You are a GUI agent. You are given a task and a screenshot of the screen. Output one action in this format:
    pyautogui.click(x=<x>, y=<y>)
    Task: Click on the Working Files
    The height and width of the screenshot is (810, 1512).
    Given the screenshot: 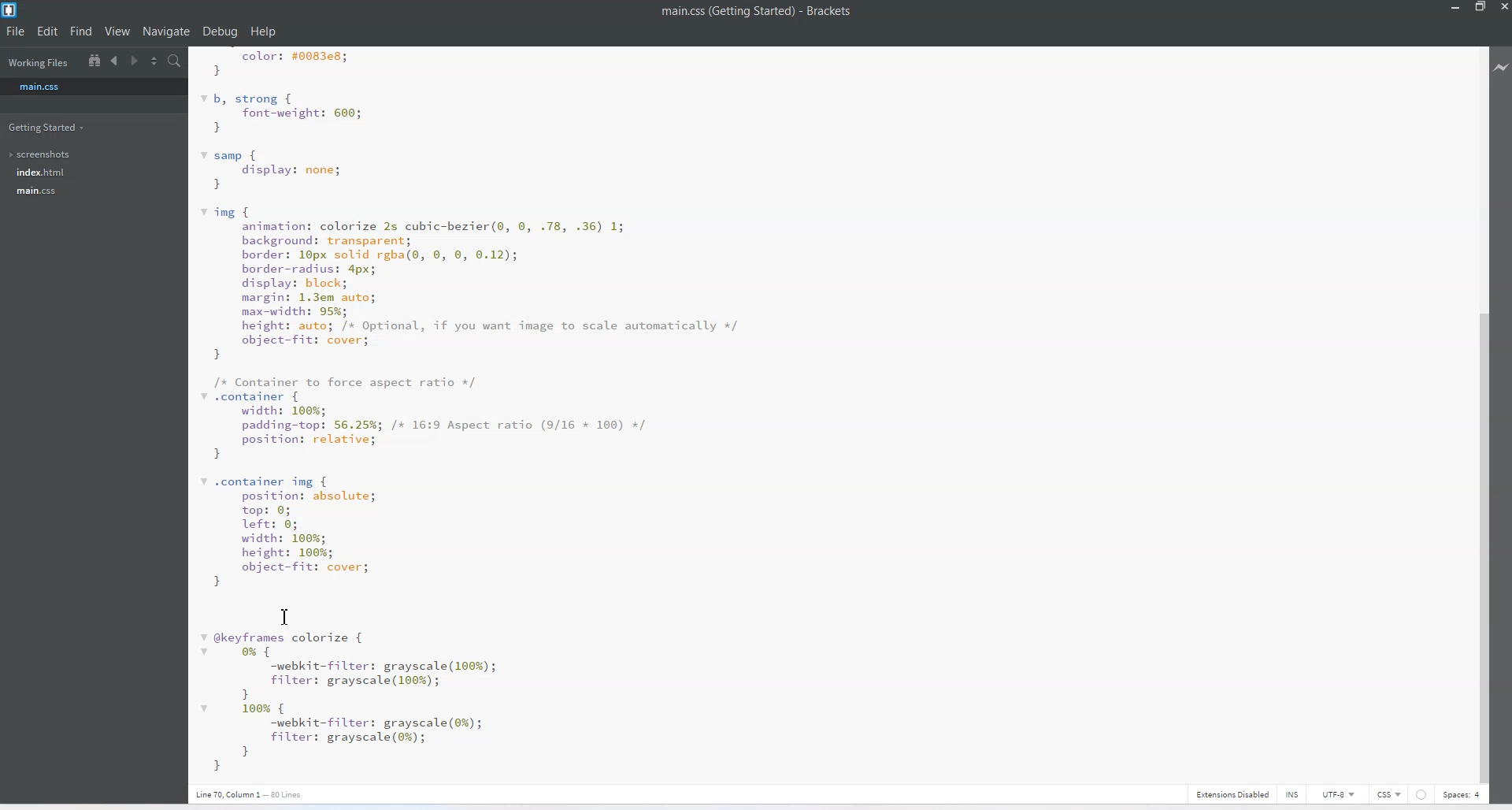 What is the action you would take?
    pyautogui.click(x=38, y=64)
    